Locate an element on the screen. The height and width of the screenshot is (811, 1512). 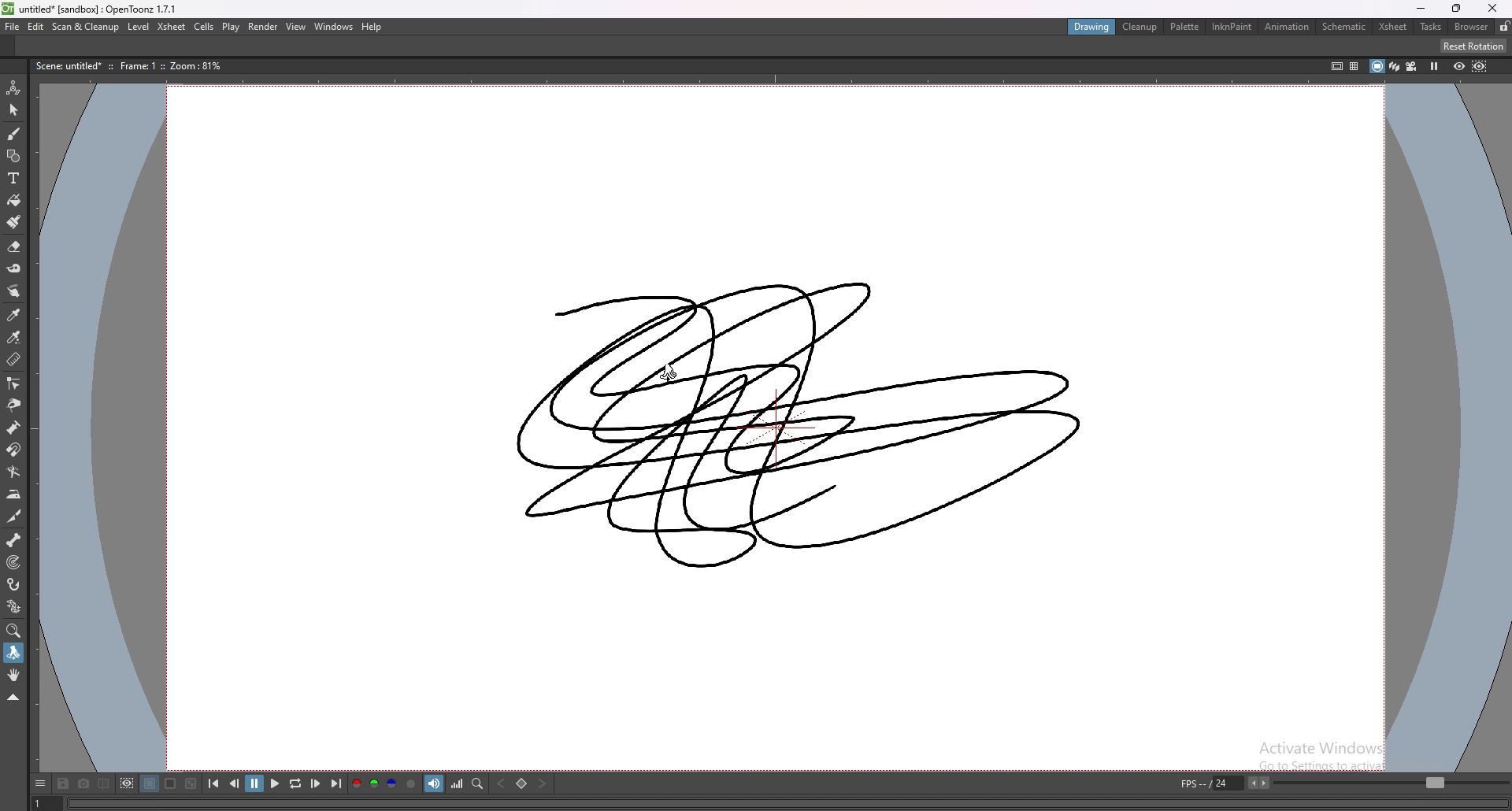
red channel is located at coordinates (356, 784).